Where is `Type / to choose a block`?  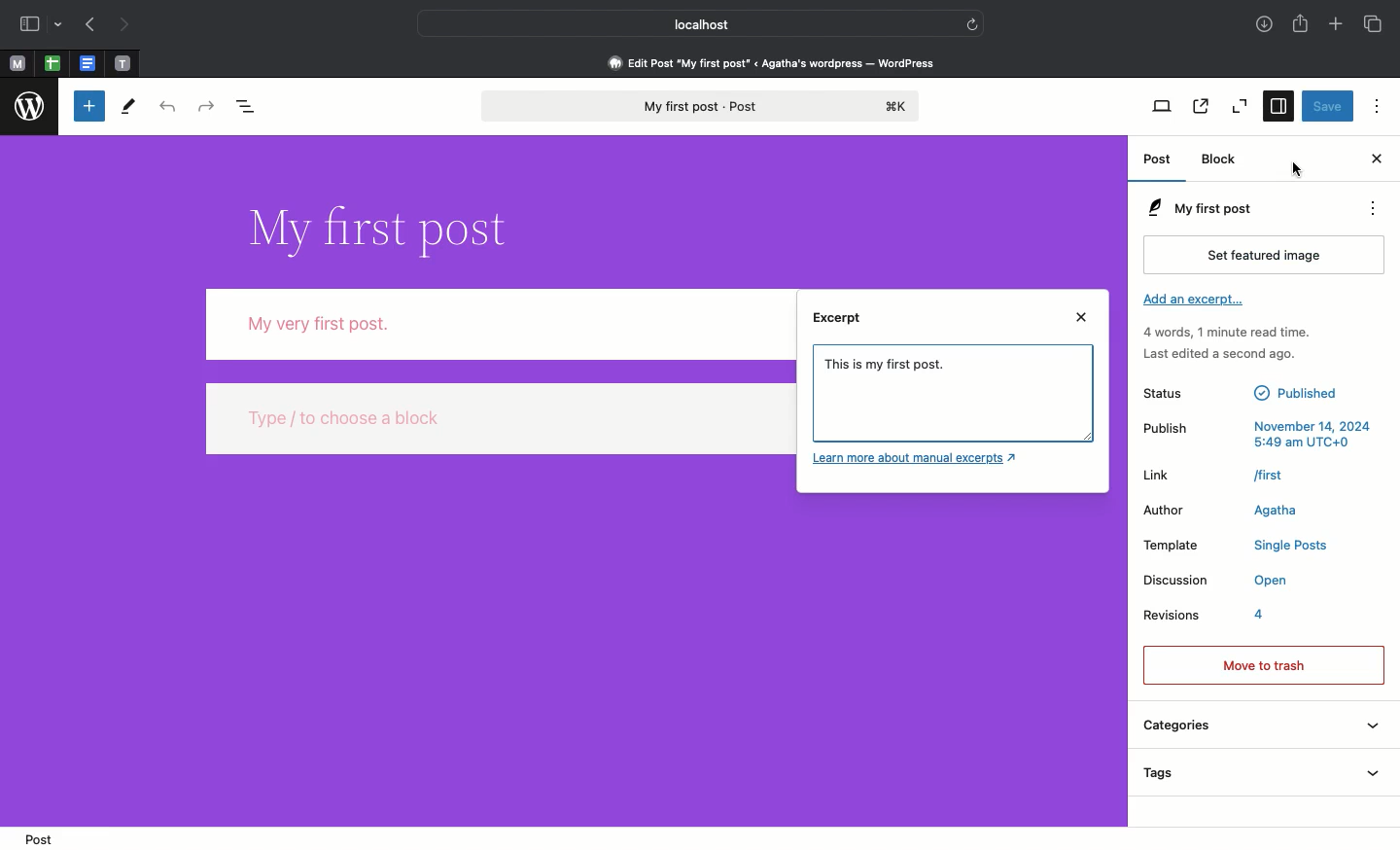
Type / to choose a block is located at coordinates (496, 419).